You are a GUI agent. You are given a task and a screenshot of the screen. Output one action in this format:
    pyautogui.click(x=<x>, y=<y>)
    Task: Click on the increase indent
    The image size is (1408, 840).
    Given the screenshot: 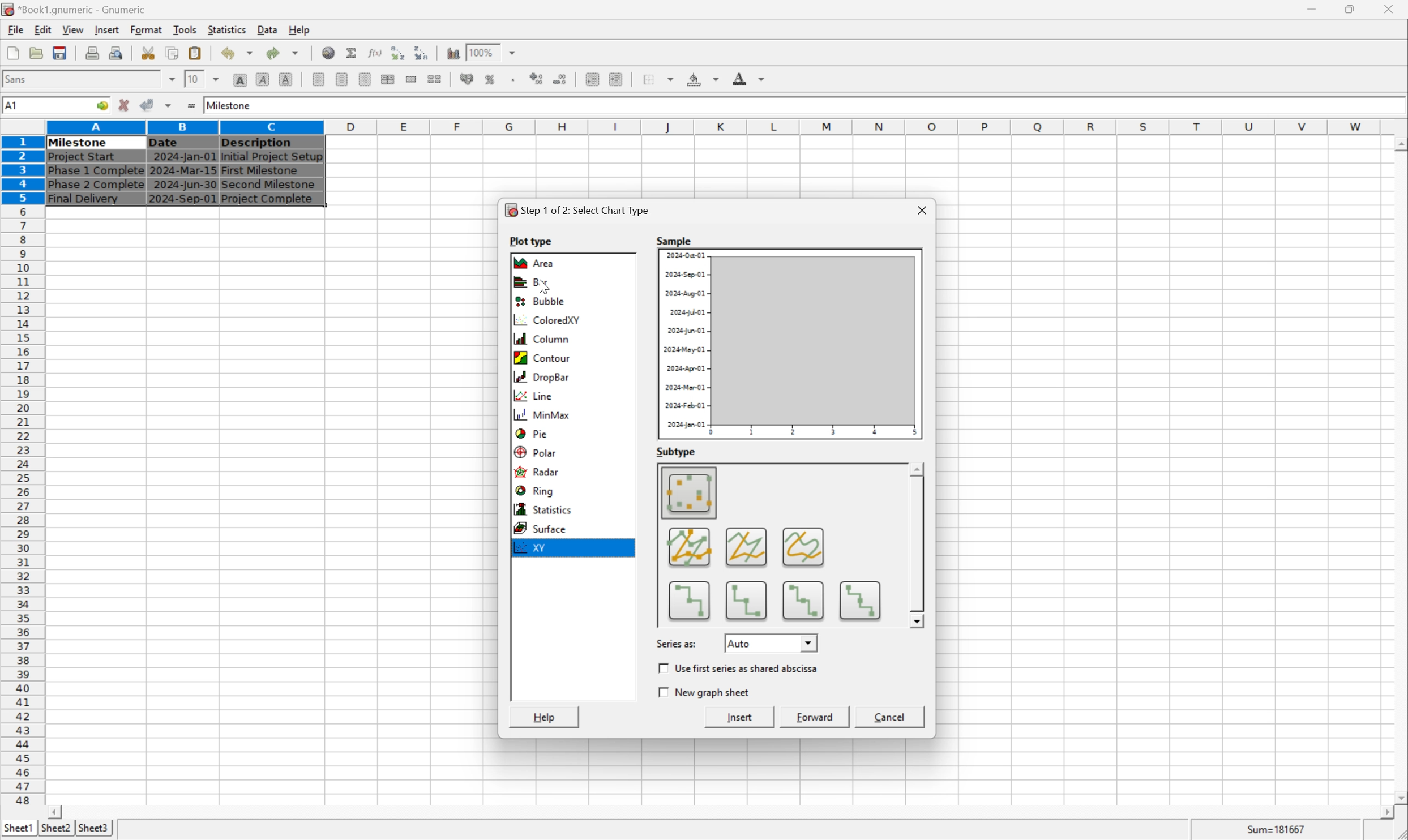 What is the action you would take?
    pyautogui.click(x=619, y=79)
    